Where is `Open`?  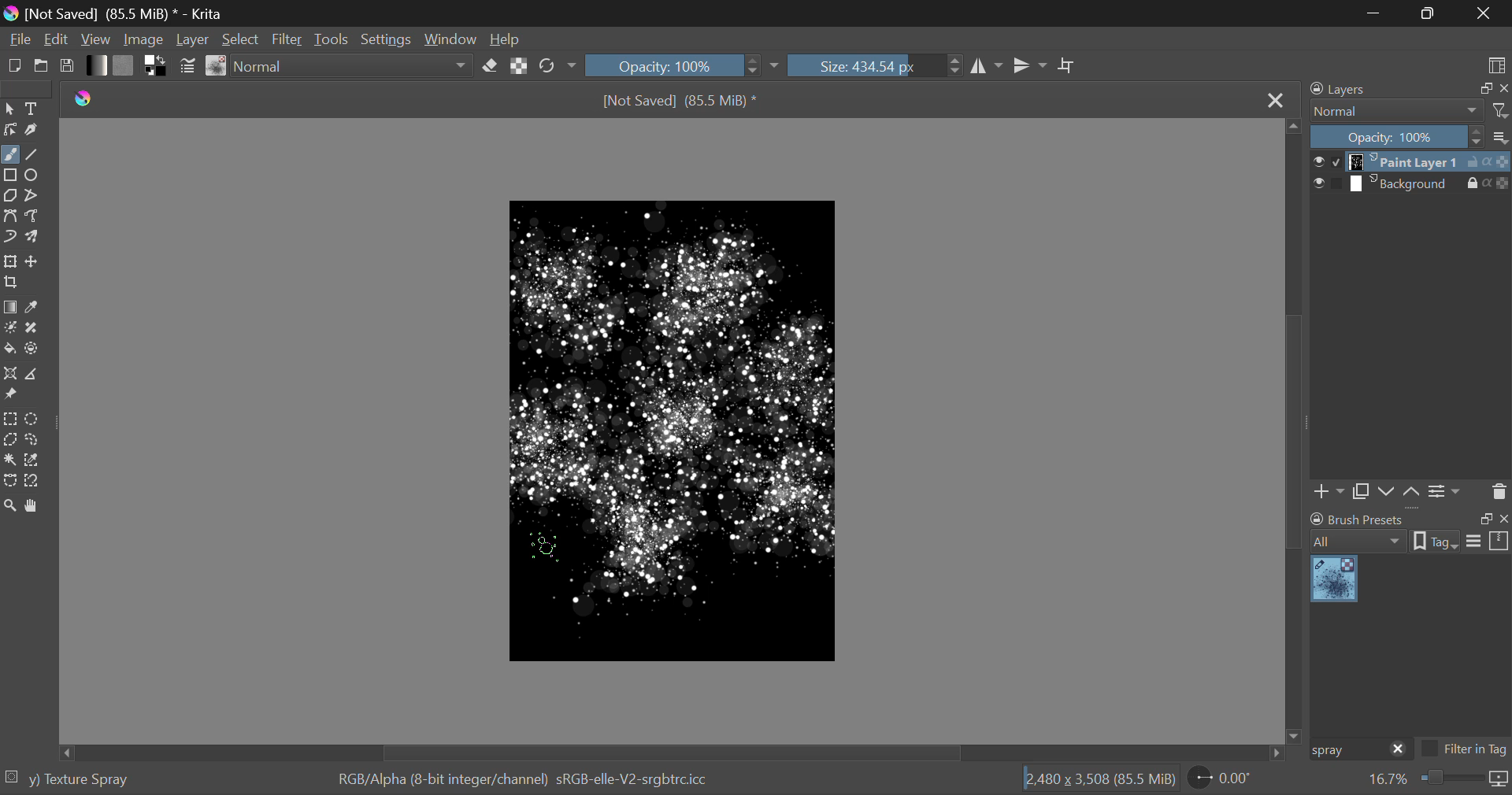
Open is located at coordinates (42, 65).